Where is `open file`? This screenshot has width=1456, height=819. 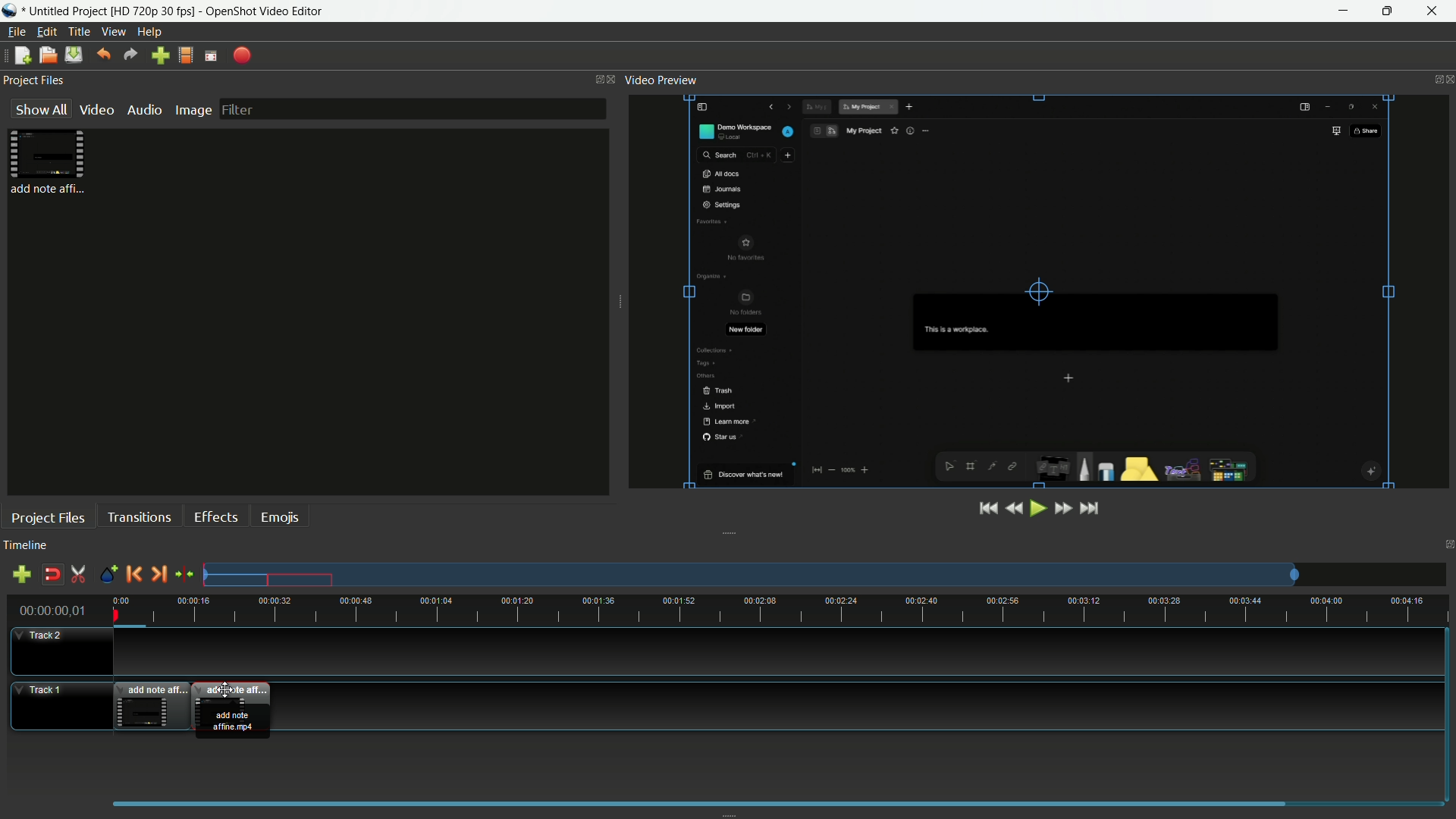
open file is located at coordinates (46, 55).